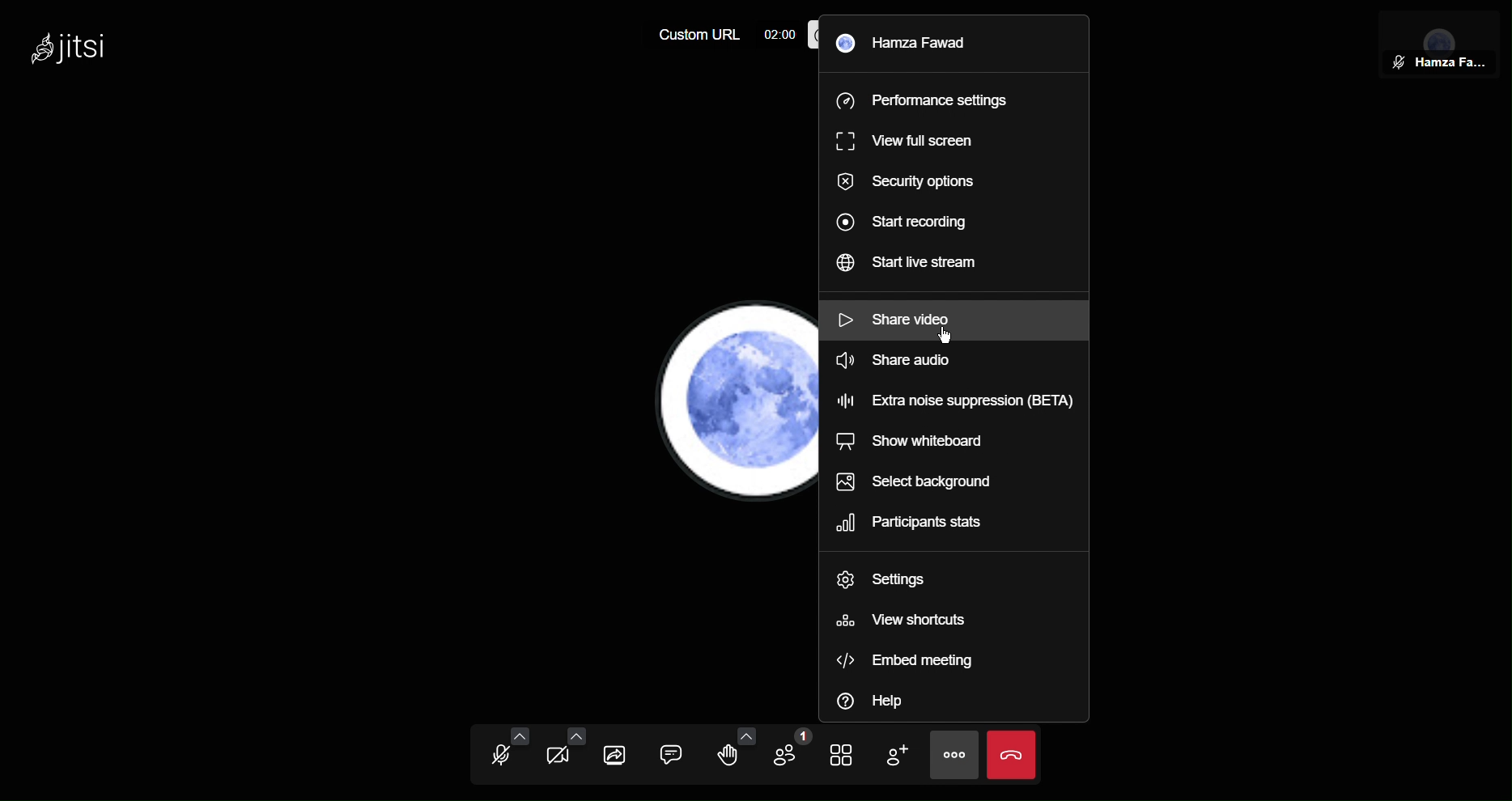 This screenshot has width=1512, height=801. What do you see at coordinates (915, 180) in the screenshot?
I see `Security options` at bounding box center [915, 180].